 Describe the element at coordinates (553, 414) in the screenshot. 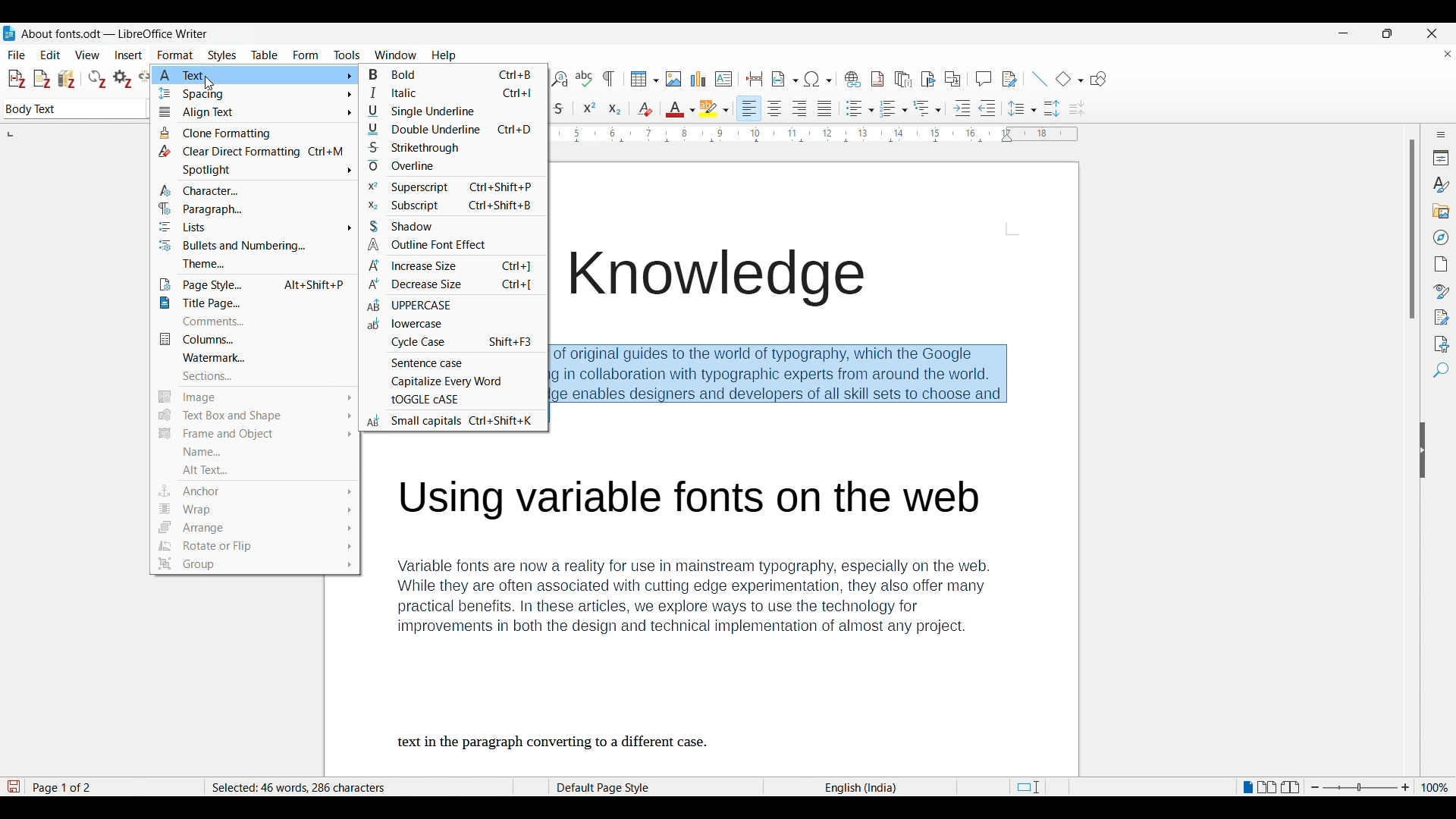

I see `Cursor position unchanged after making selection` at that location.